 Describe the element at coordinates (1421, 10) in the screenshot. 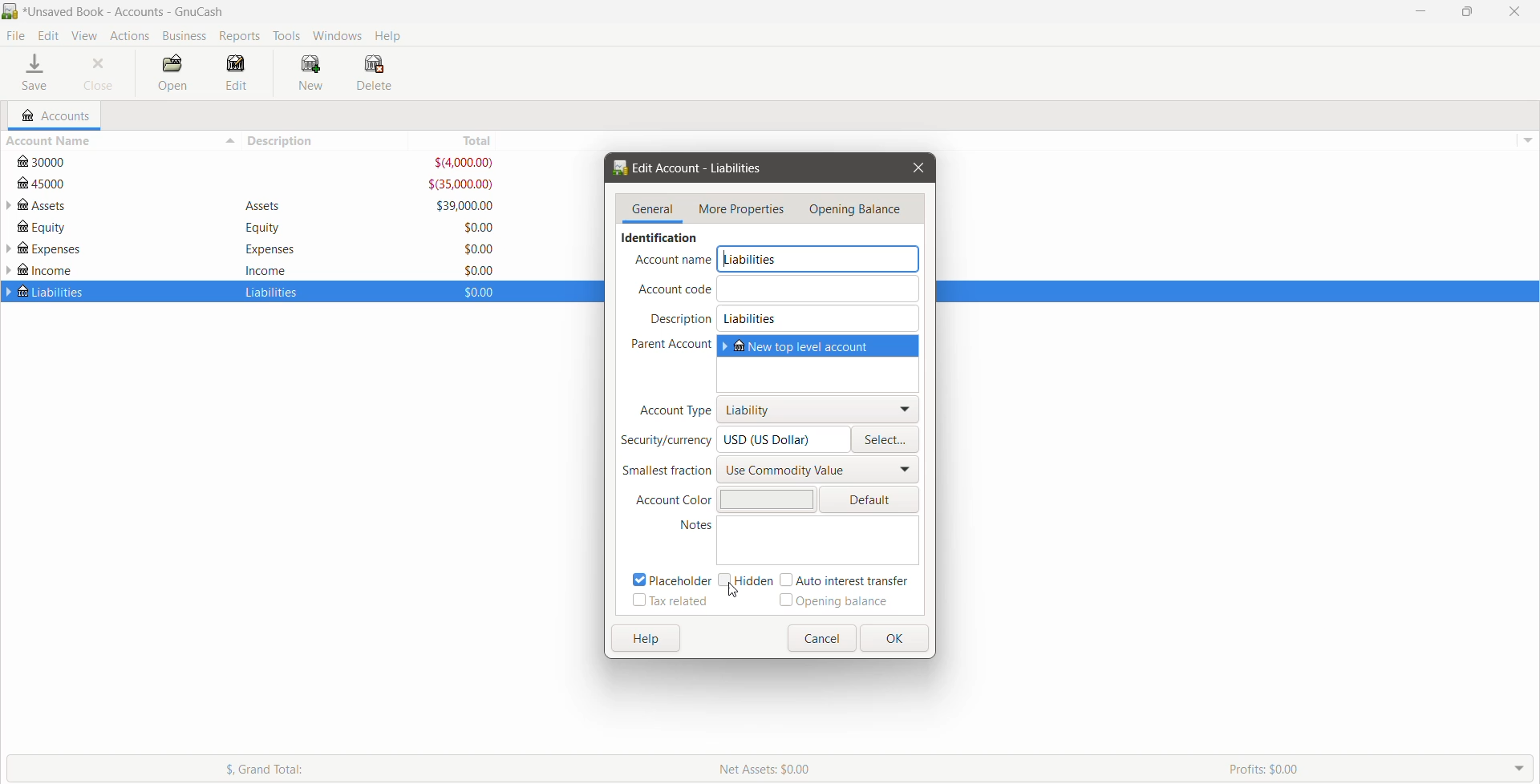

I see `Minimize` at that location.